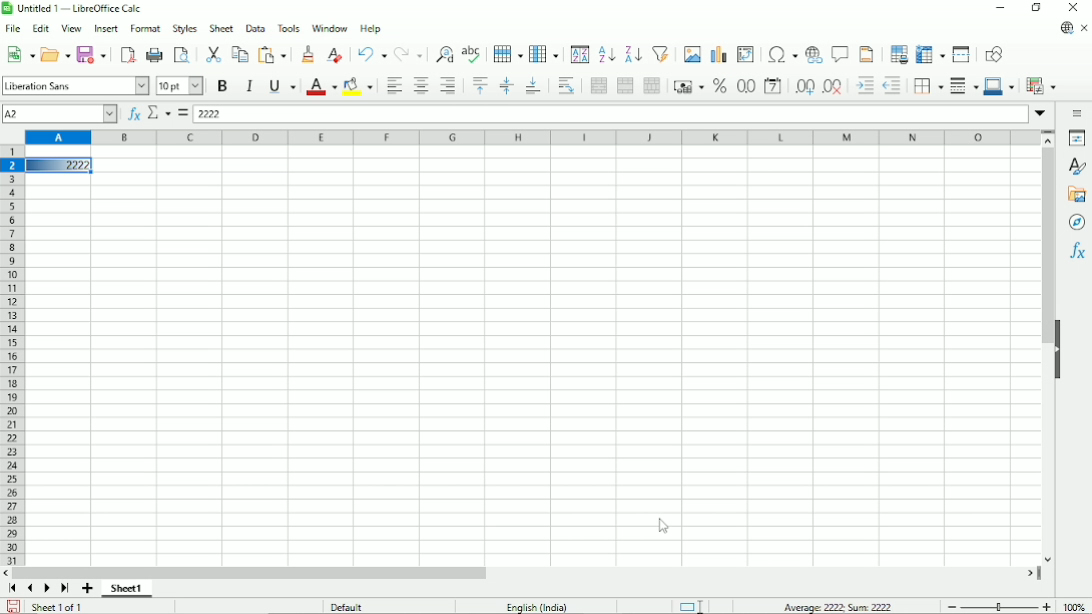 The height and width of the screenshot is (614, 1092). I want to click on Border style, so click(963, 87).